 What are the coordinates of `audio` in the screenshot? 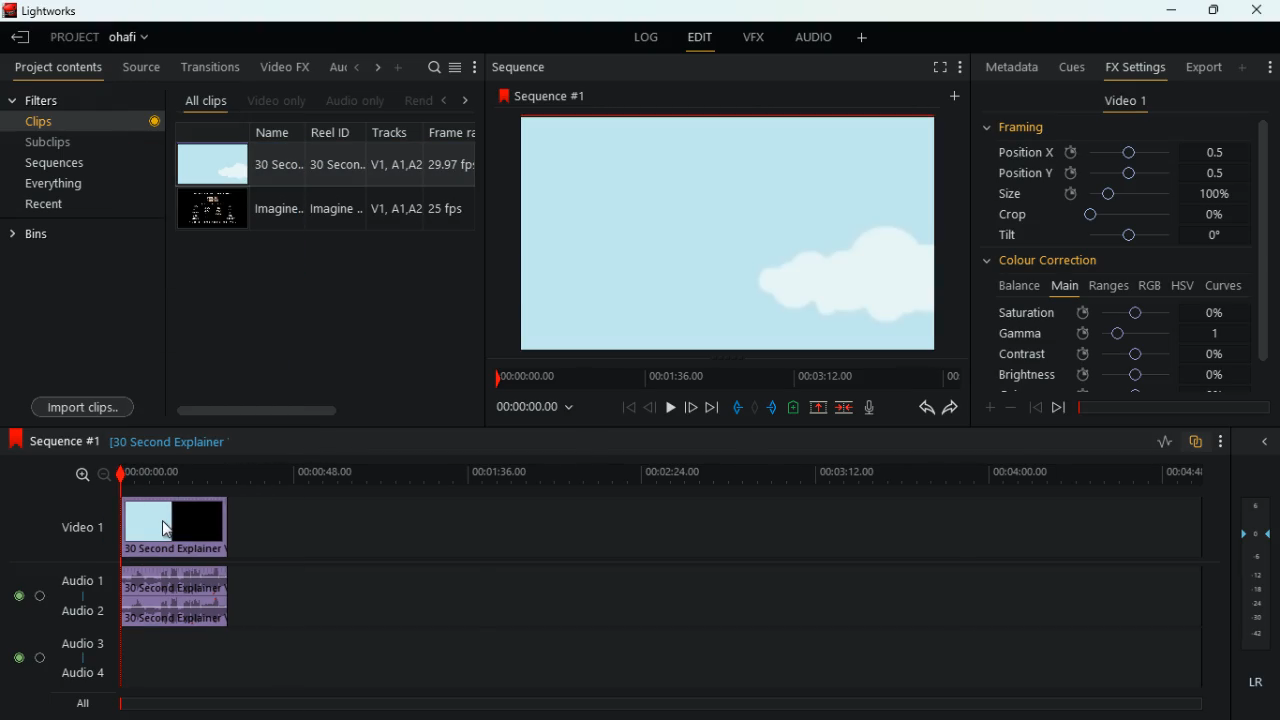 It's located at (810, 38).